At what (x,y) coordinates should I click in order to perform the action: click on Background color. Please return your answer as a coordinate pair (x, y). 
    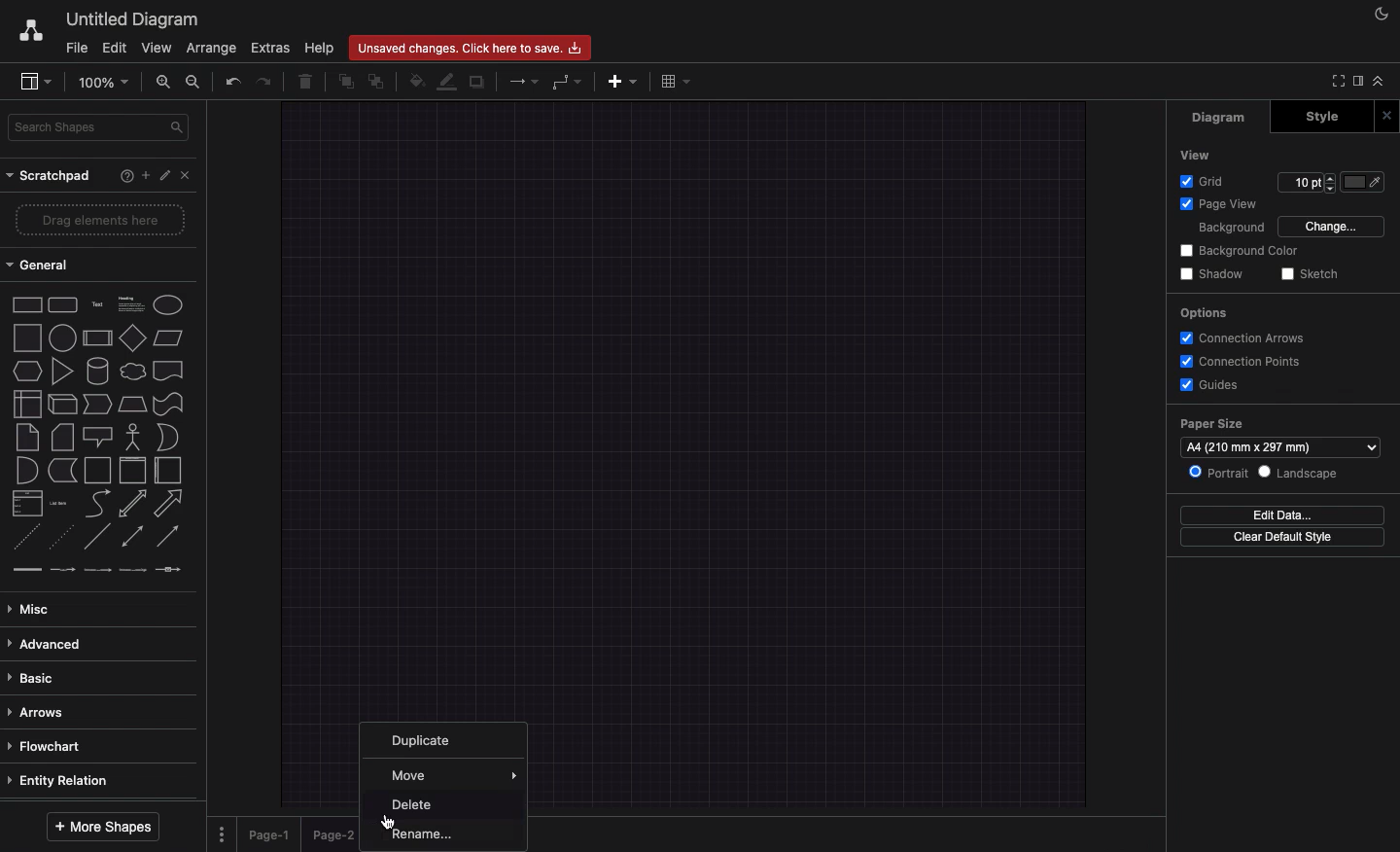
    Looking at the image, I should click on (1238, 251).